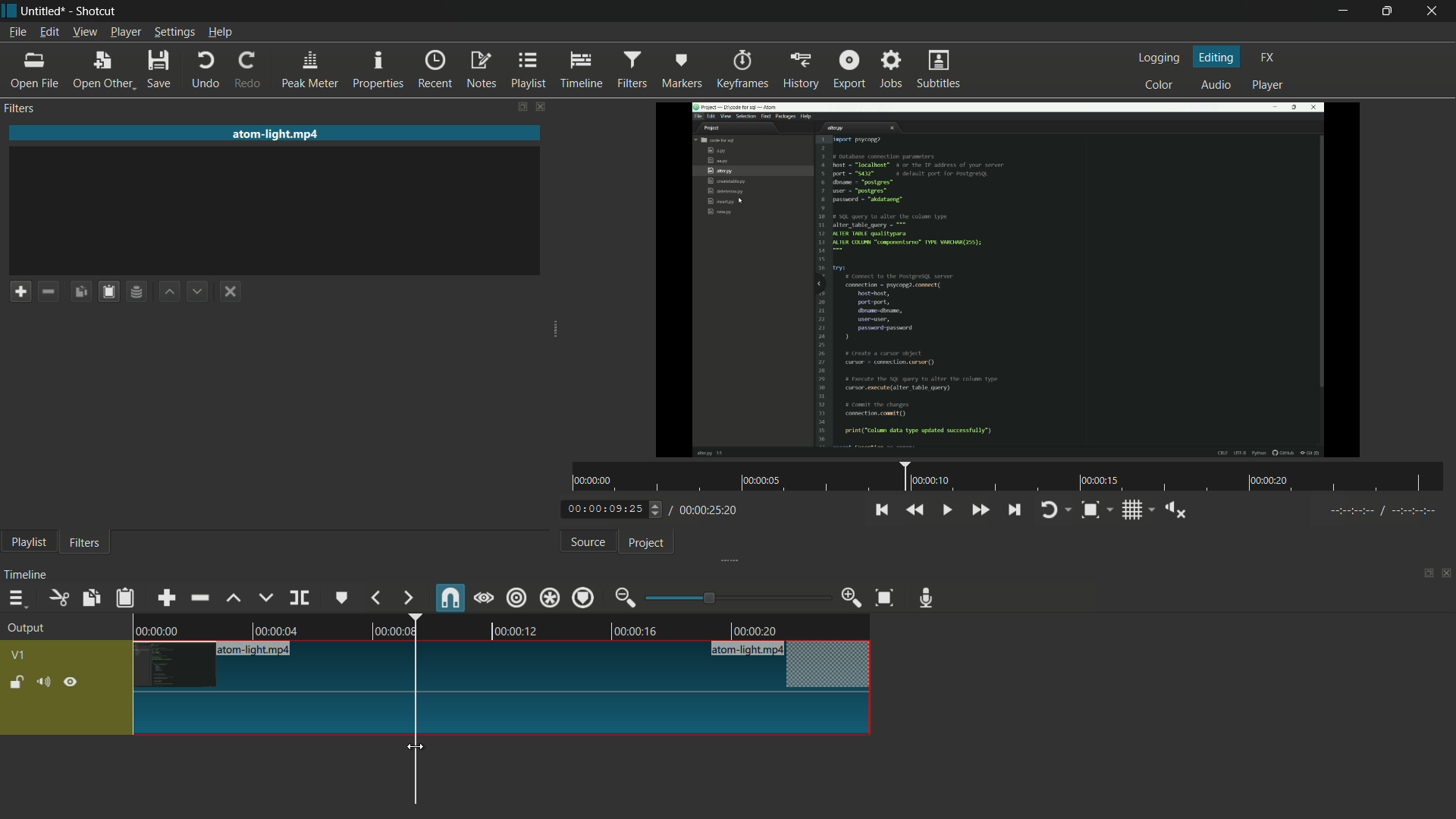 This screenshot has height=819, width=1456. Describe the element at coordinates (125, 32) in the screenshot. I see `player menu` at that location.